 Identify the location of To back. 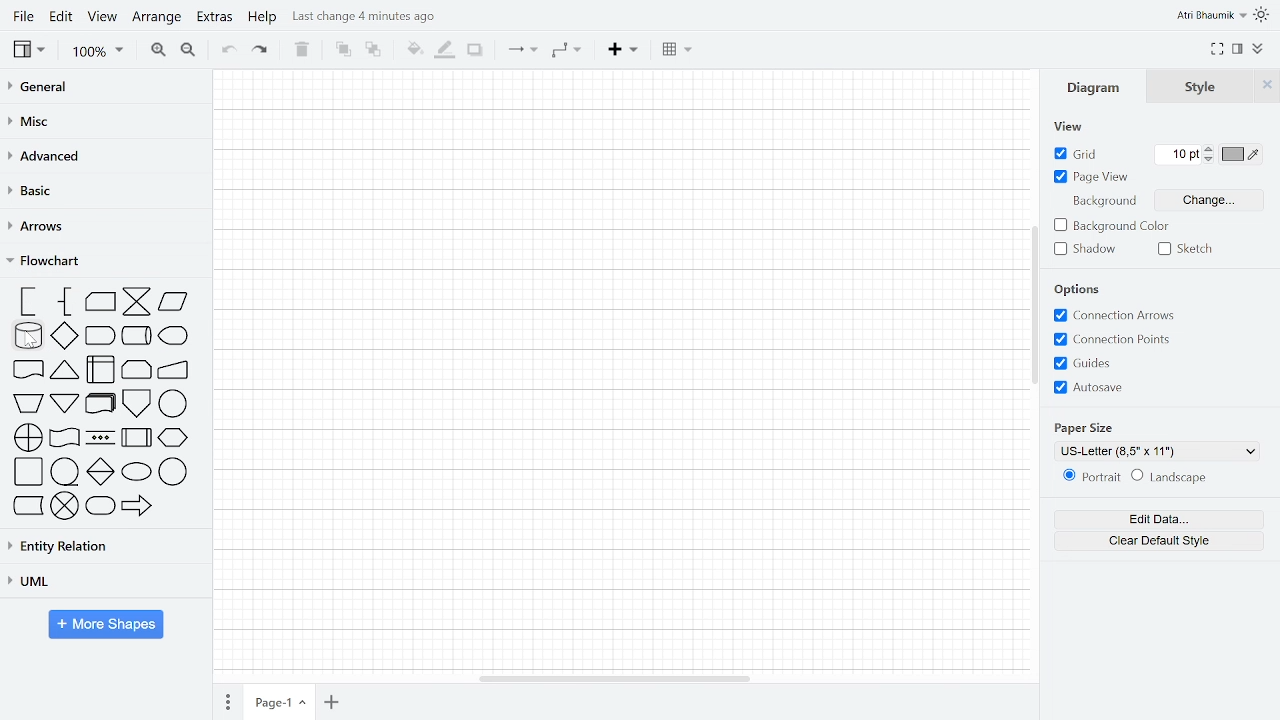
(374, 51).